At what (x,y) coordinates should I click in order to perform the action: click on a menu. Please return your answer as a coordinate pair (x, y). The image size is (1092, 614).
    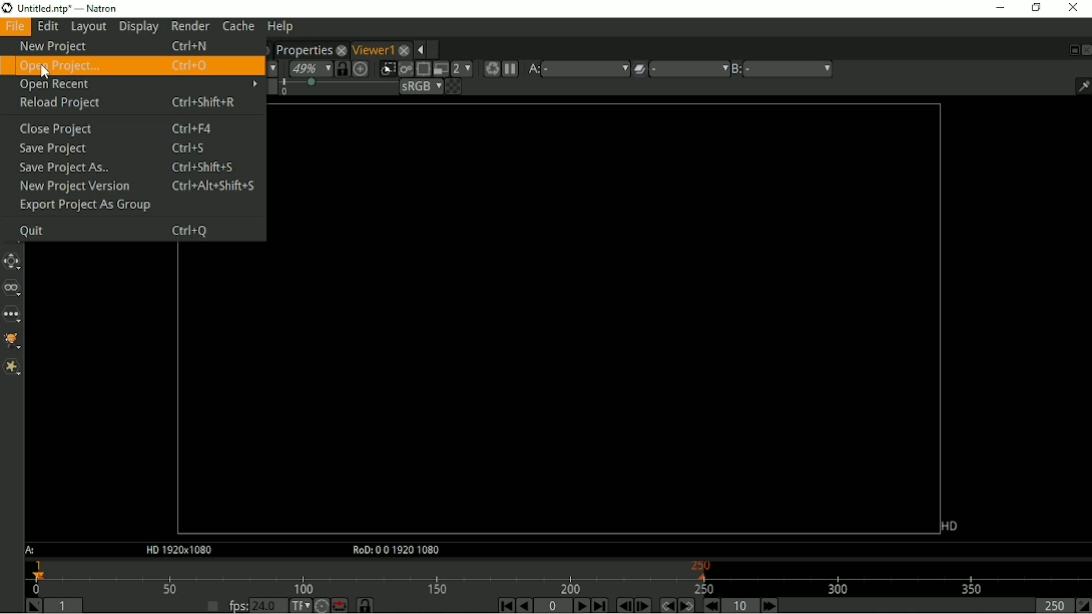
    Looking at the image, I should click on (585, 68).